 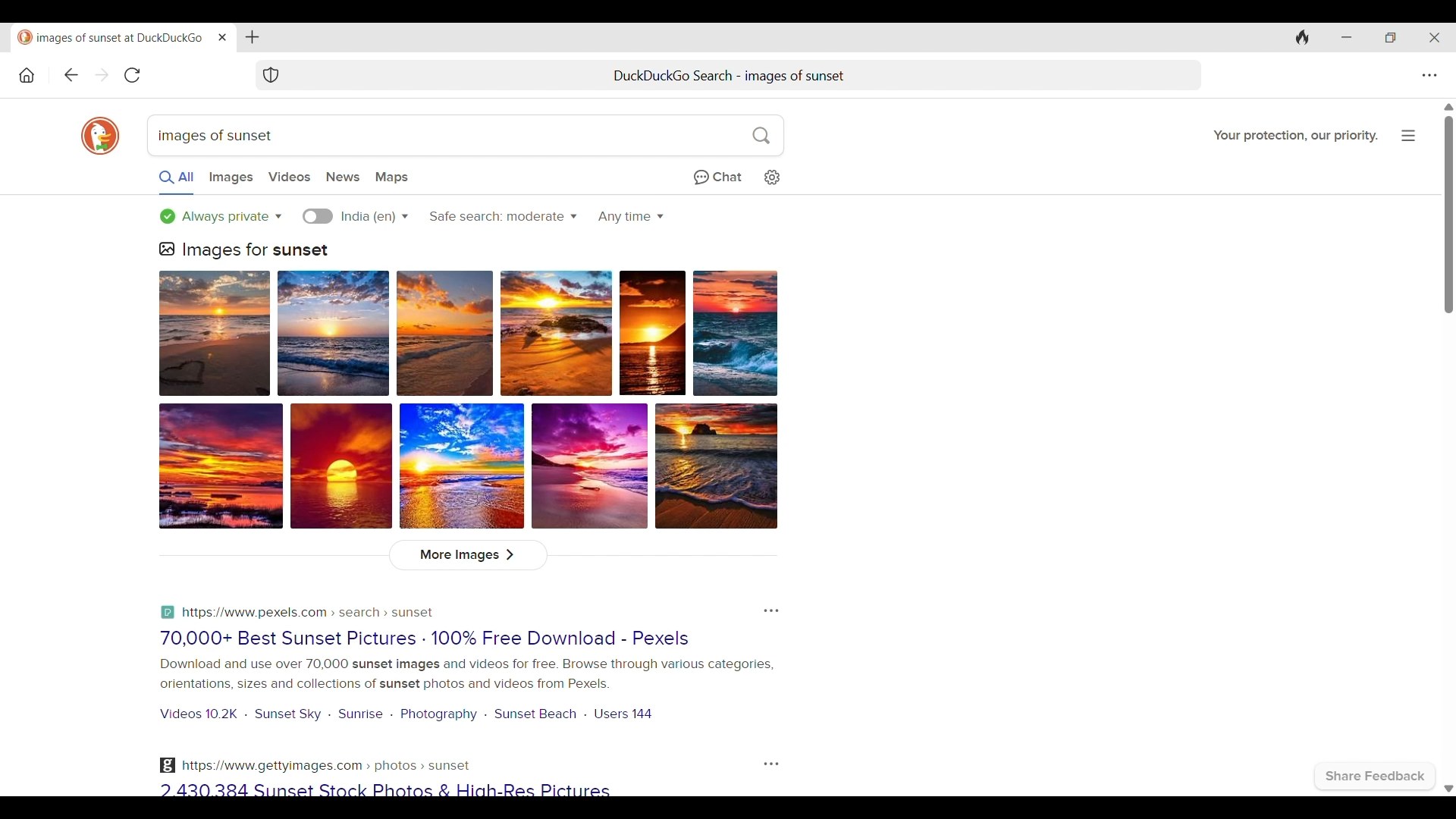 What do you see at coordinates (631, 217) in the screenshot?
I see `Options for time specific searches` at bounding box center [631, 217].